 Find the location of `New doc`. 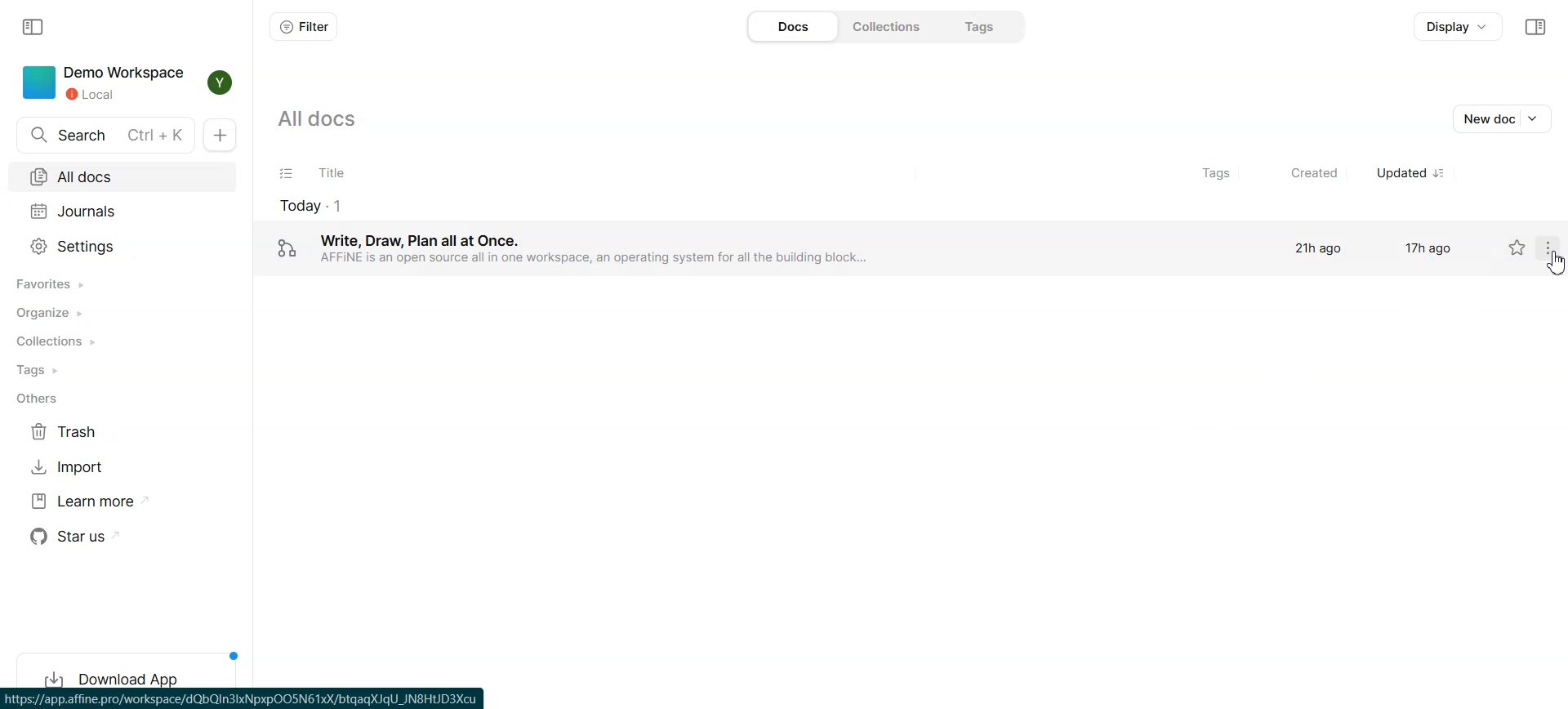

New doc is located at coordinates (1485, 118).